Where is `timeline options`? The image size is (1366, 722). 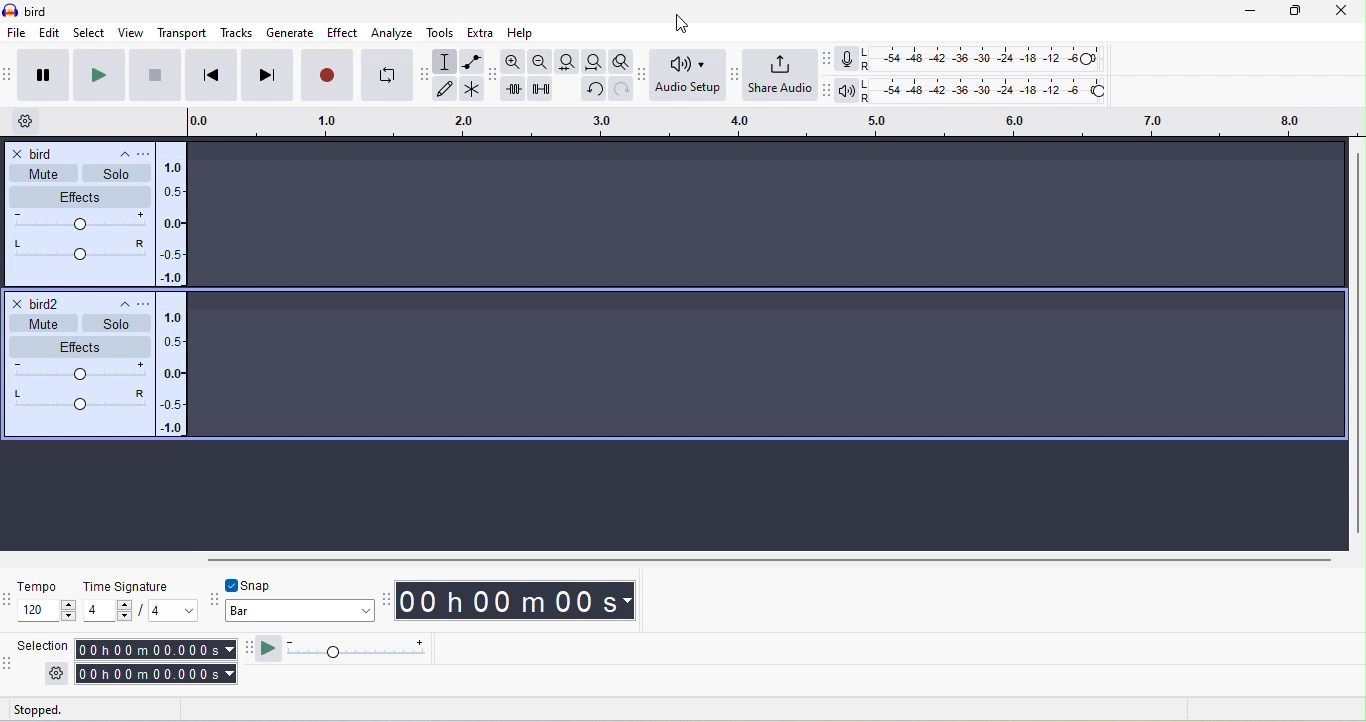
timeline options is located at coordinates (28, 123).